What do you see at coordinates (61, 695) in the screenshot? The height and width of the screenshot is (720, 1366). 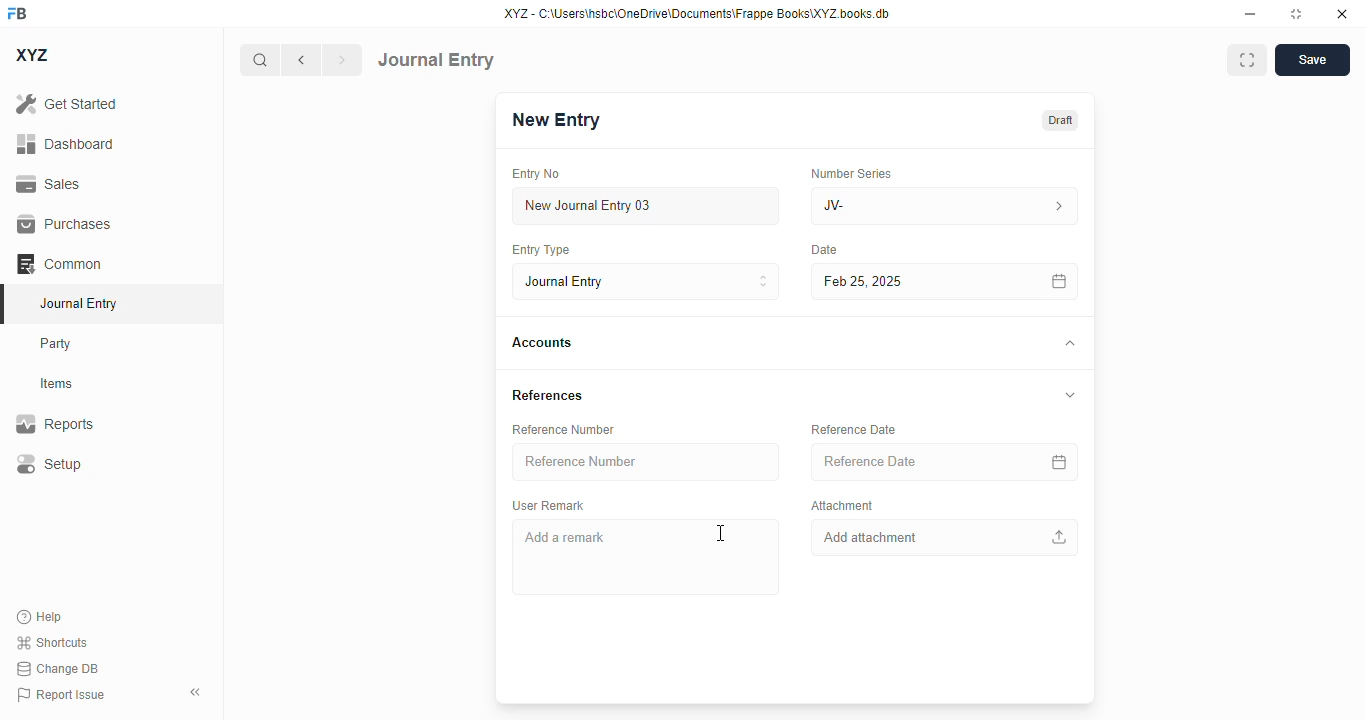 I see `report issue` at bounding box center [61, 695].